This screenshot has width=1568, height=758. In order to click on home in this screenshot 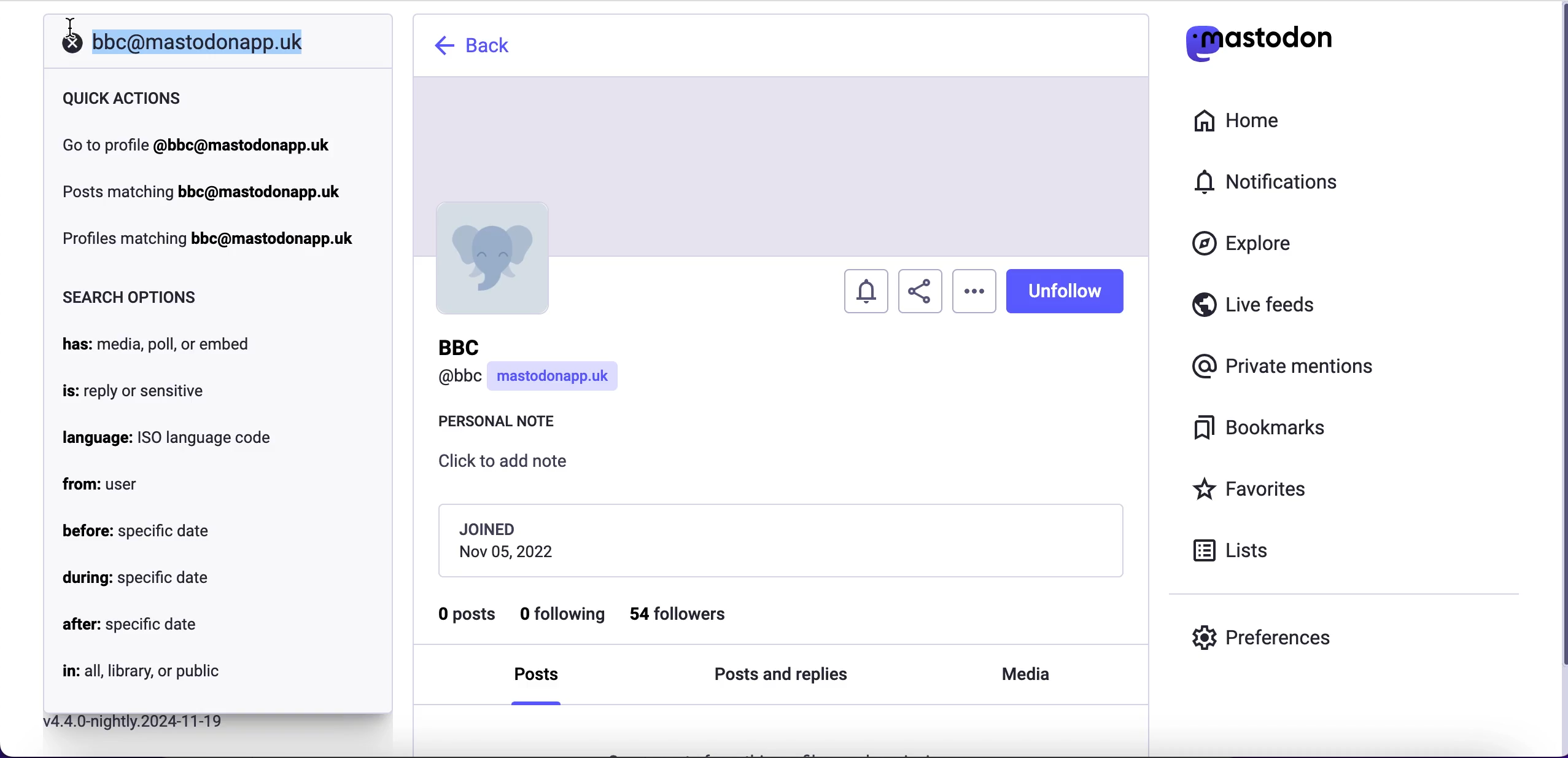, I will do `click(1234, 121)`.